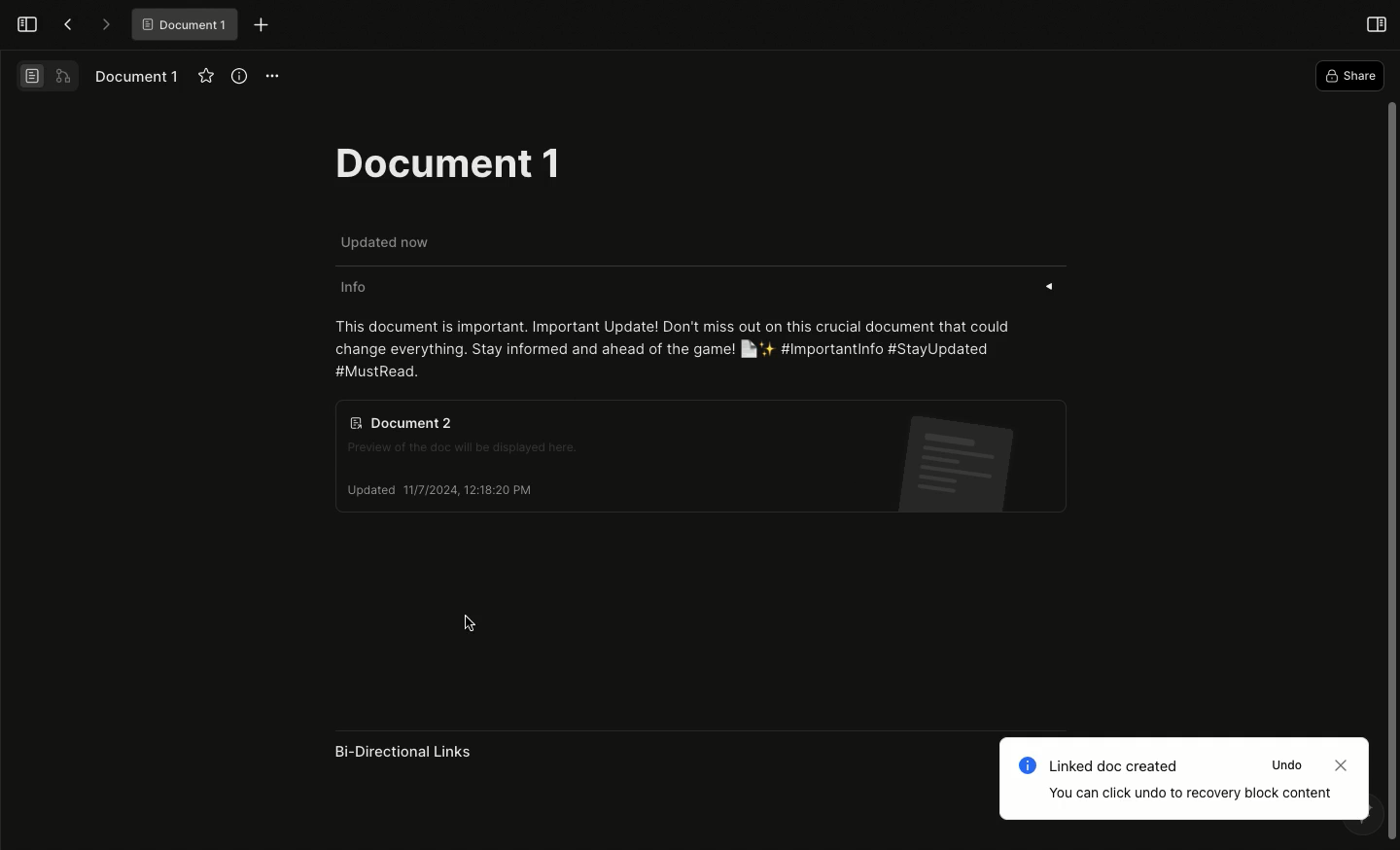 The height and width of the screenshot is (850, 1400). What do you see at coordinates (27, 25) in the screenshot?
I see `Open sidebar` at bounding box center [27, 25].